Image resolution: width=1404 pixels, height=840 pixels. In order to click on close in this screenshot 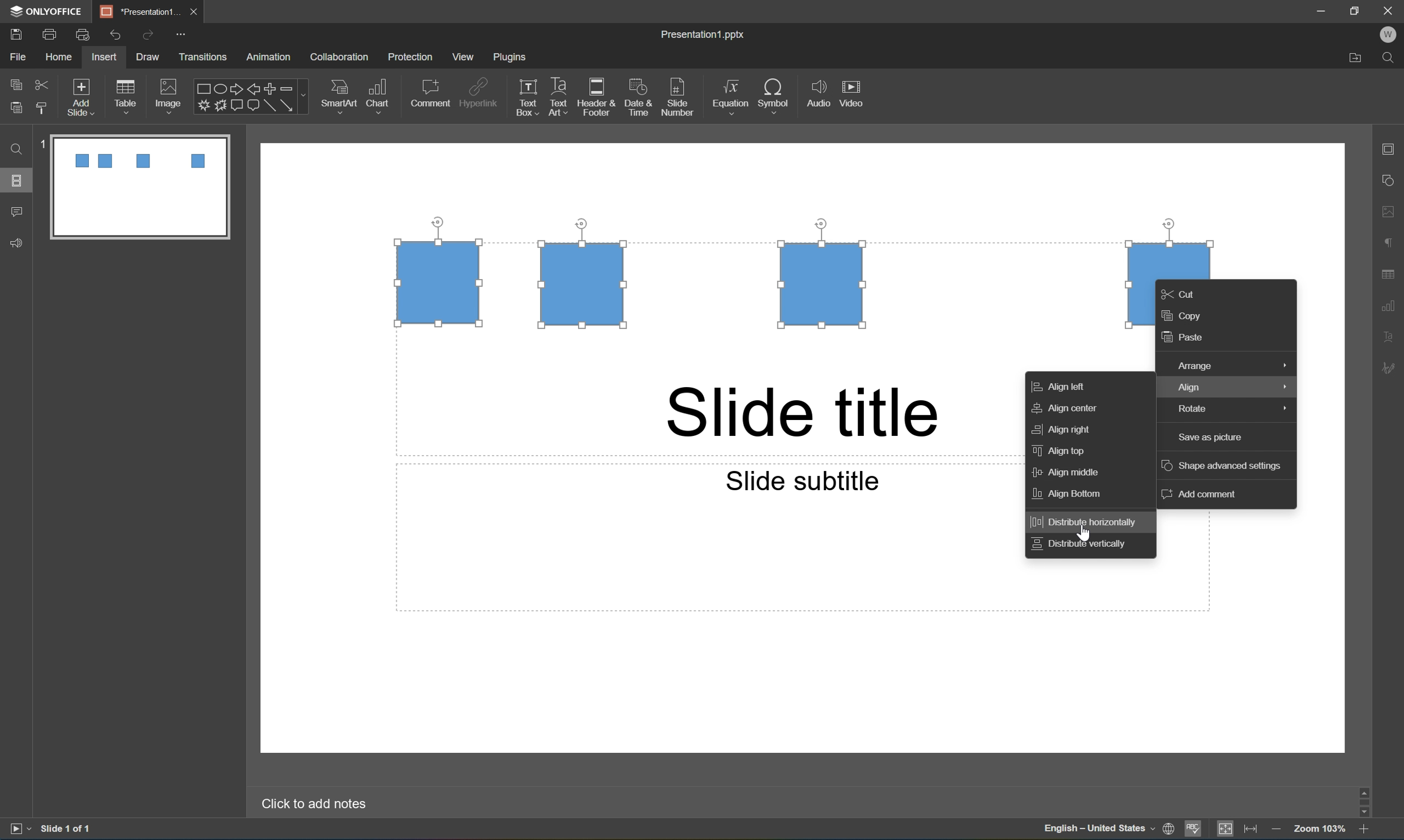, I will do `click(1389, 10)`.